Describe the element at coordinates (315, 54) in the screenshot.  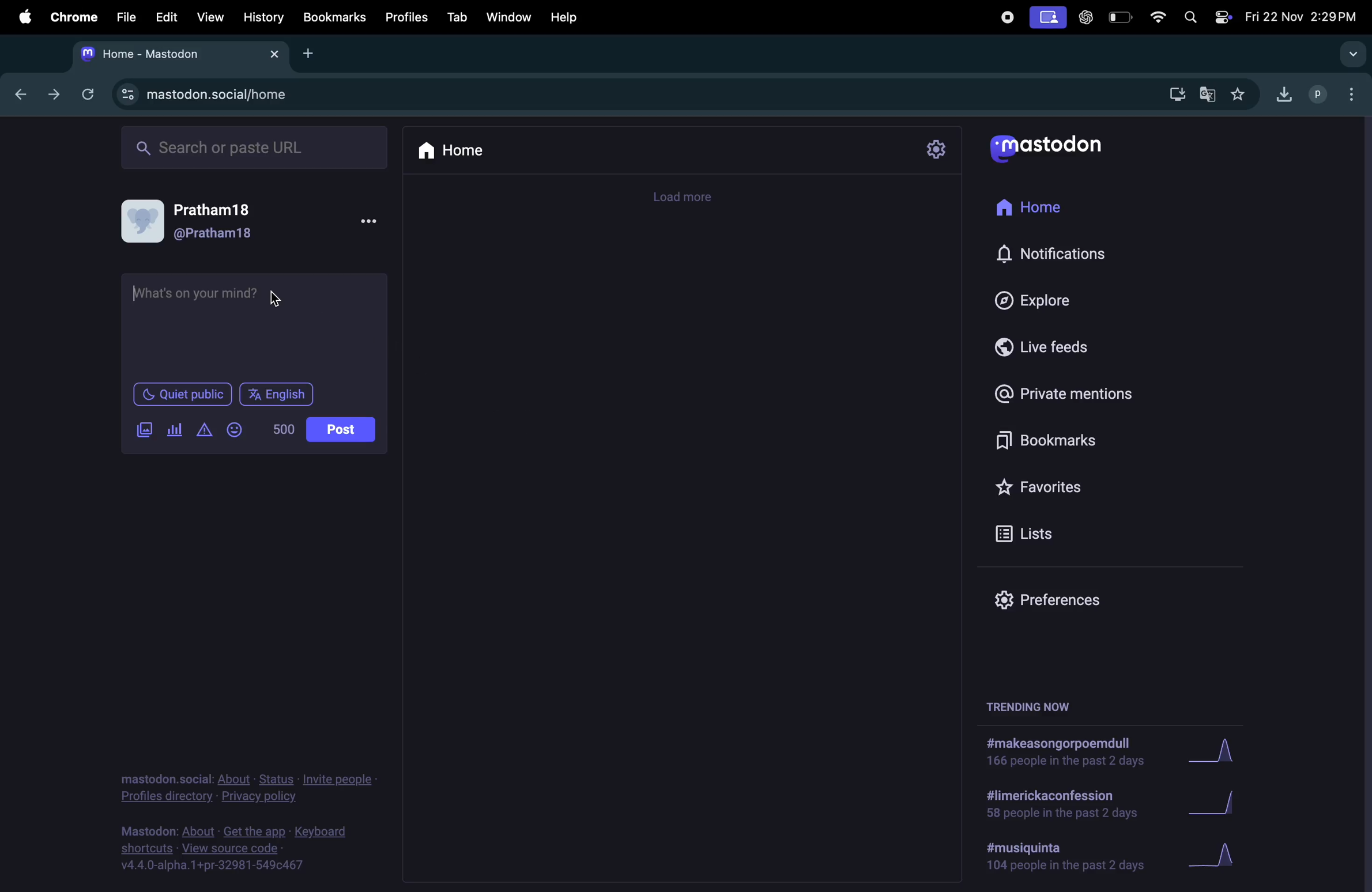
I see `add tab` at that location.